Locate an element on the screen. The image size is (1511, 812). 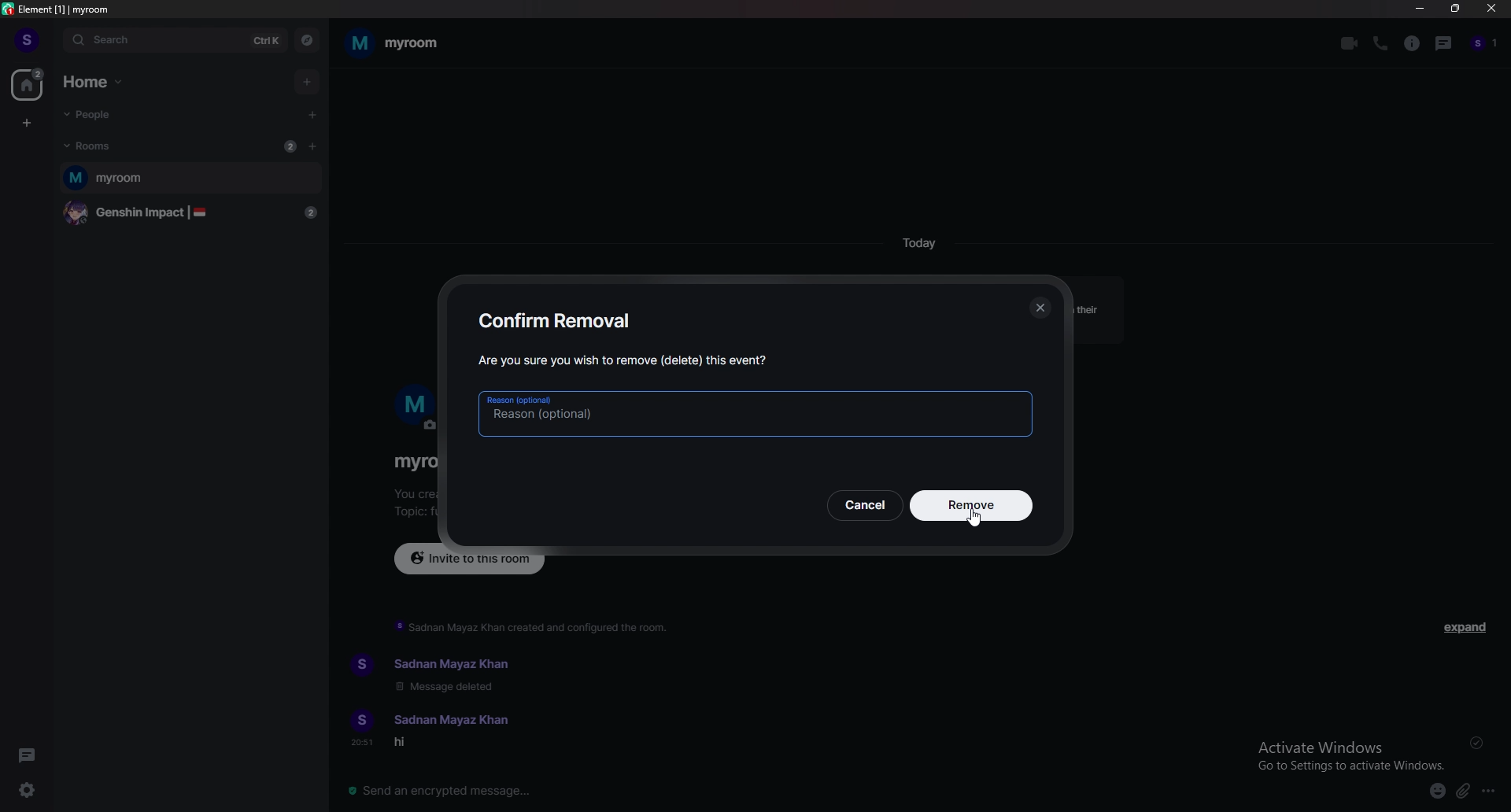
sadnan mayaz khan message deleted is located at coordinates (451, 674).